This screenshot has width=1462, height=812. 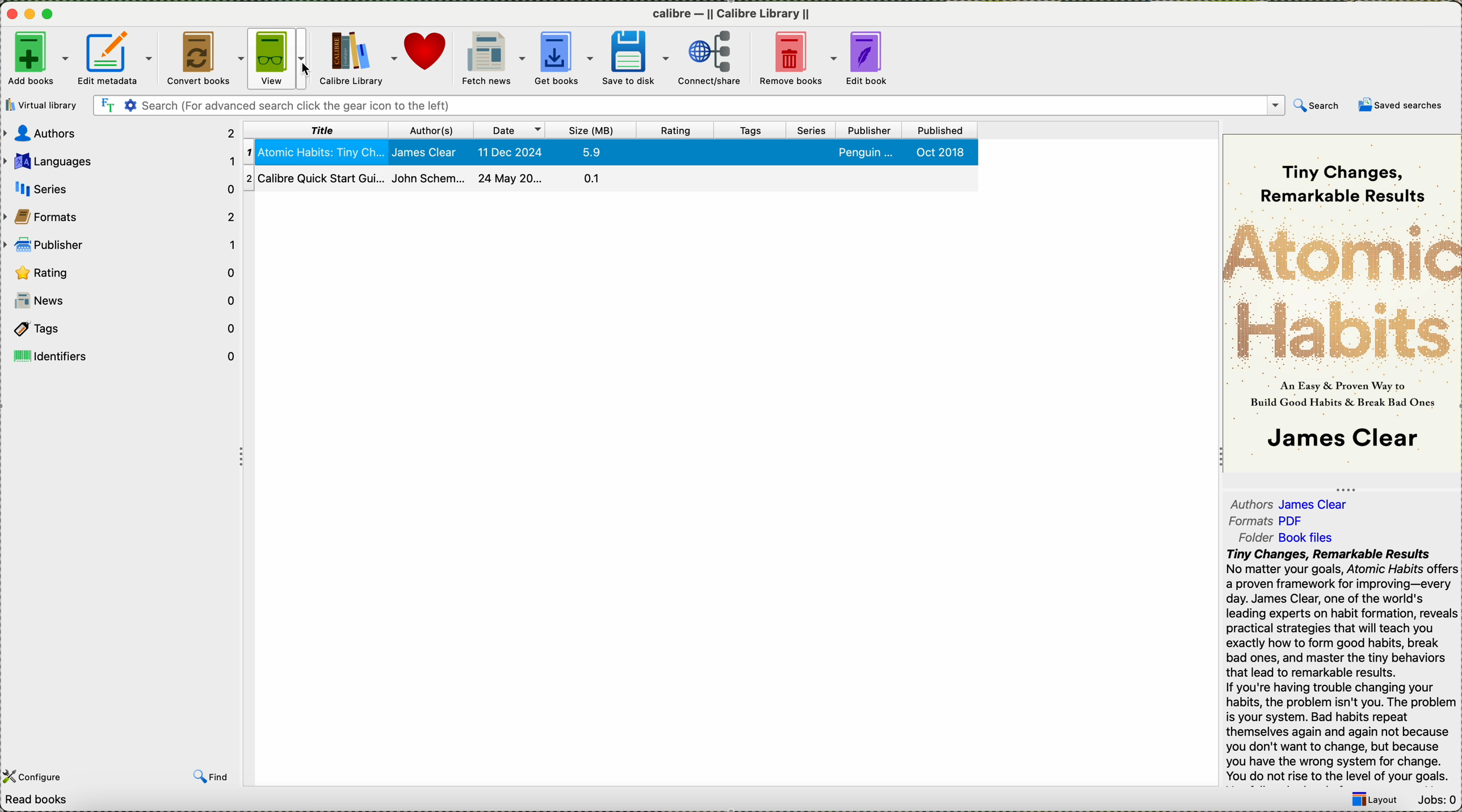 I want to click on Tiny Changes, Remarkable Results

No matter your goals, Atomic Habits offers
a proven framework for improving—every
day. James Clear, one of the world's
leading experts on habit formation, reveals
practical strategies that will teach you
exactly how to form good habits, break
bad ones, and master the tiny behaviors
that lead to remarkable results.

If you're having trouble changing your
habits, the problem isn't you. The problem
is your system. Bad habits repeat
themselves again and again not because
you don't want to change, but because
you have the wrong system for change.
You do not rise to the level of your goals., so click(x=1339, y=666).